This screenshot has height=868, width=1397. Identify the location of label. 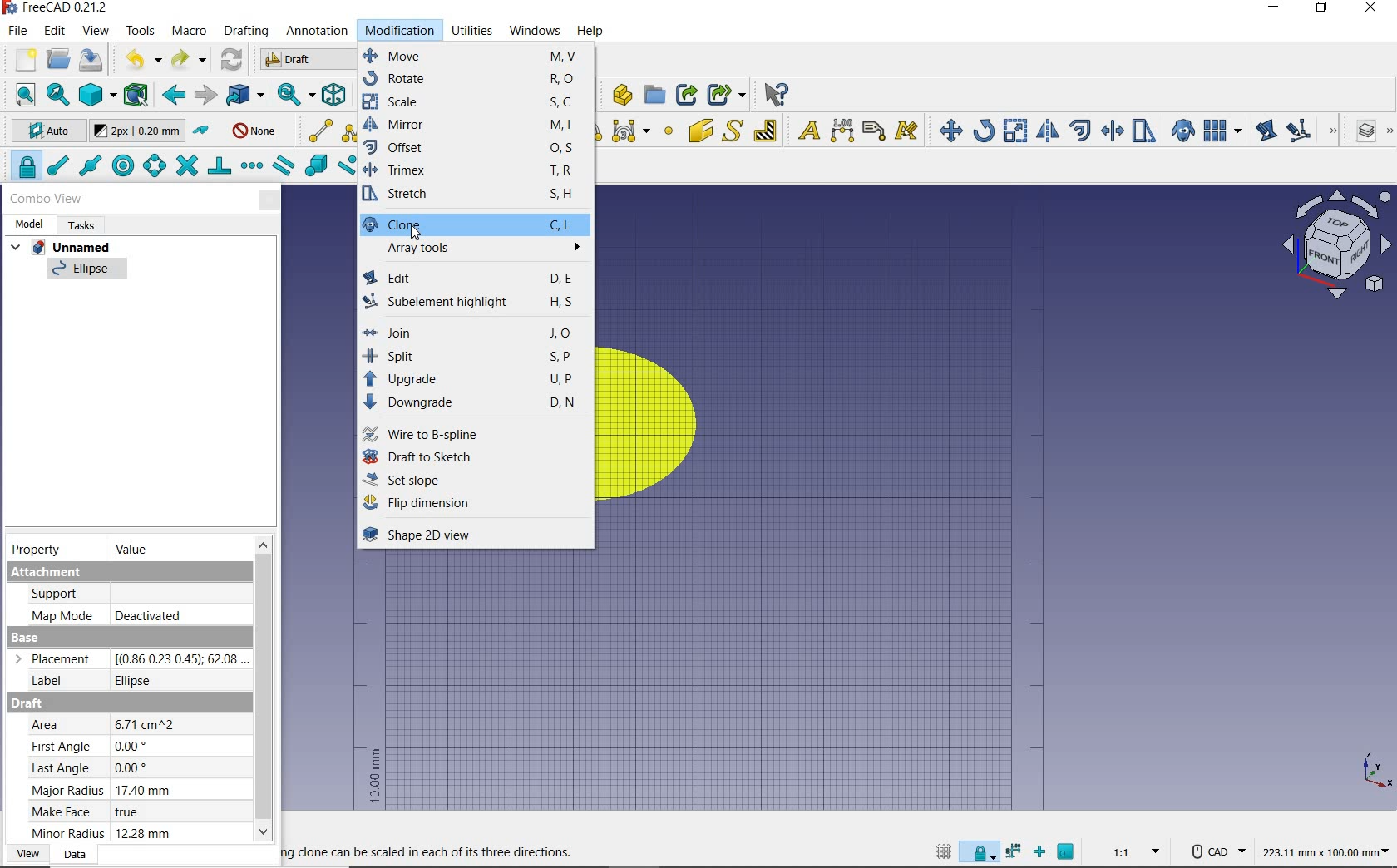
(874, 131).